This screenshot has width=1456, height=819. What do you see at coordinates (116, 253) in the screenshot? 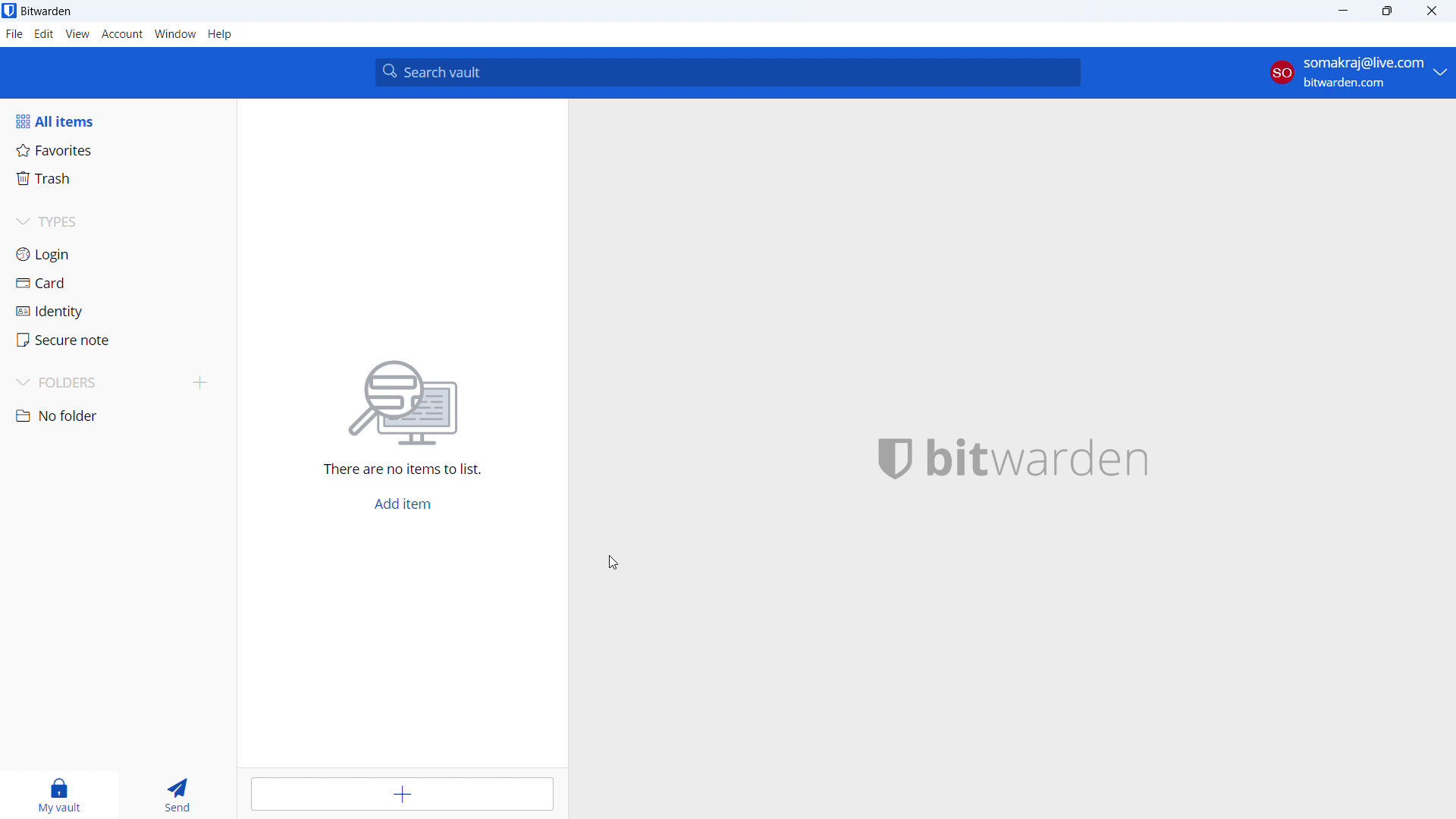
I see `login` at bounding box center [116, 253].